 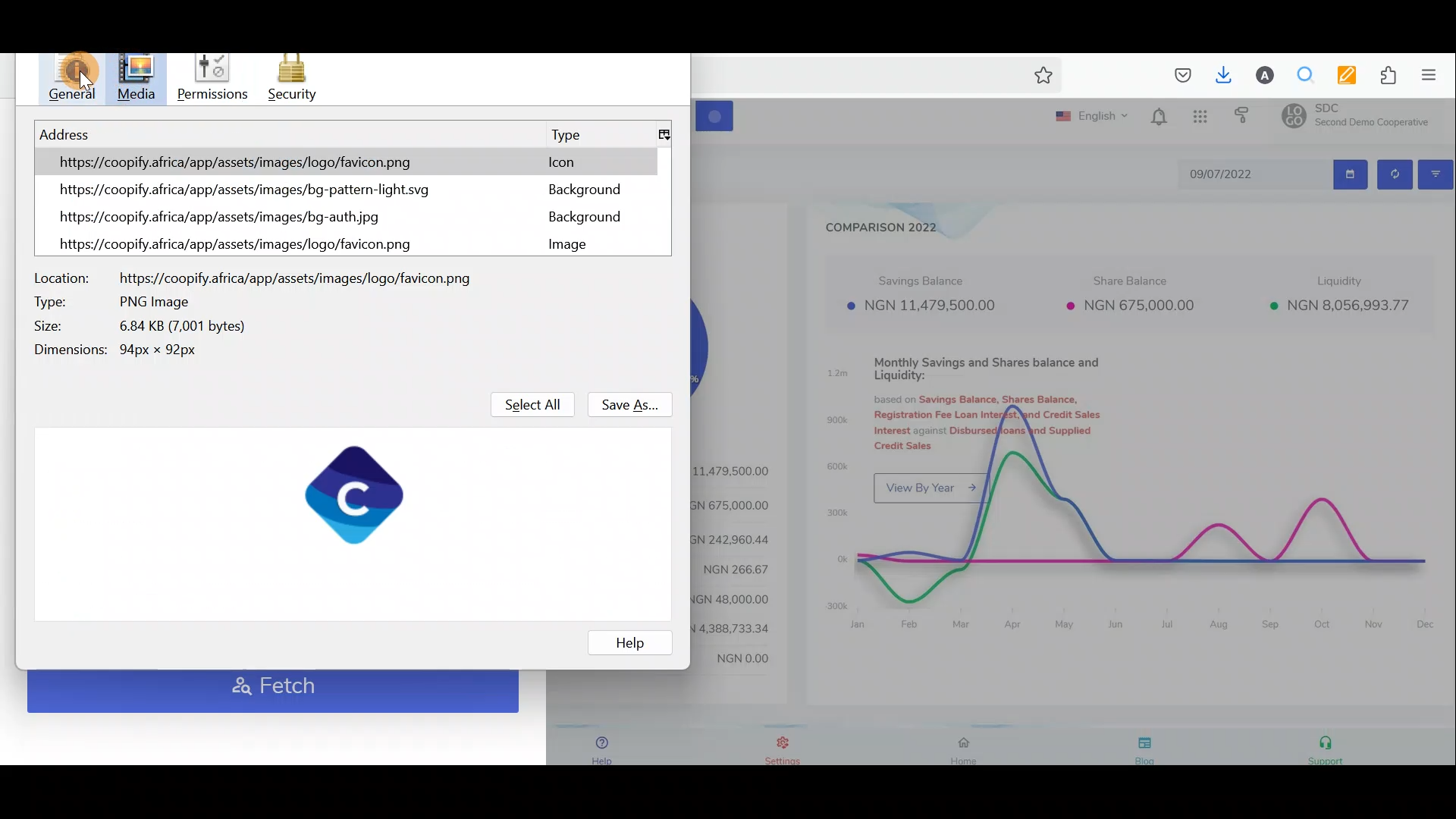 I want to click on logo, so click(x=356, y=494).